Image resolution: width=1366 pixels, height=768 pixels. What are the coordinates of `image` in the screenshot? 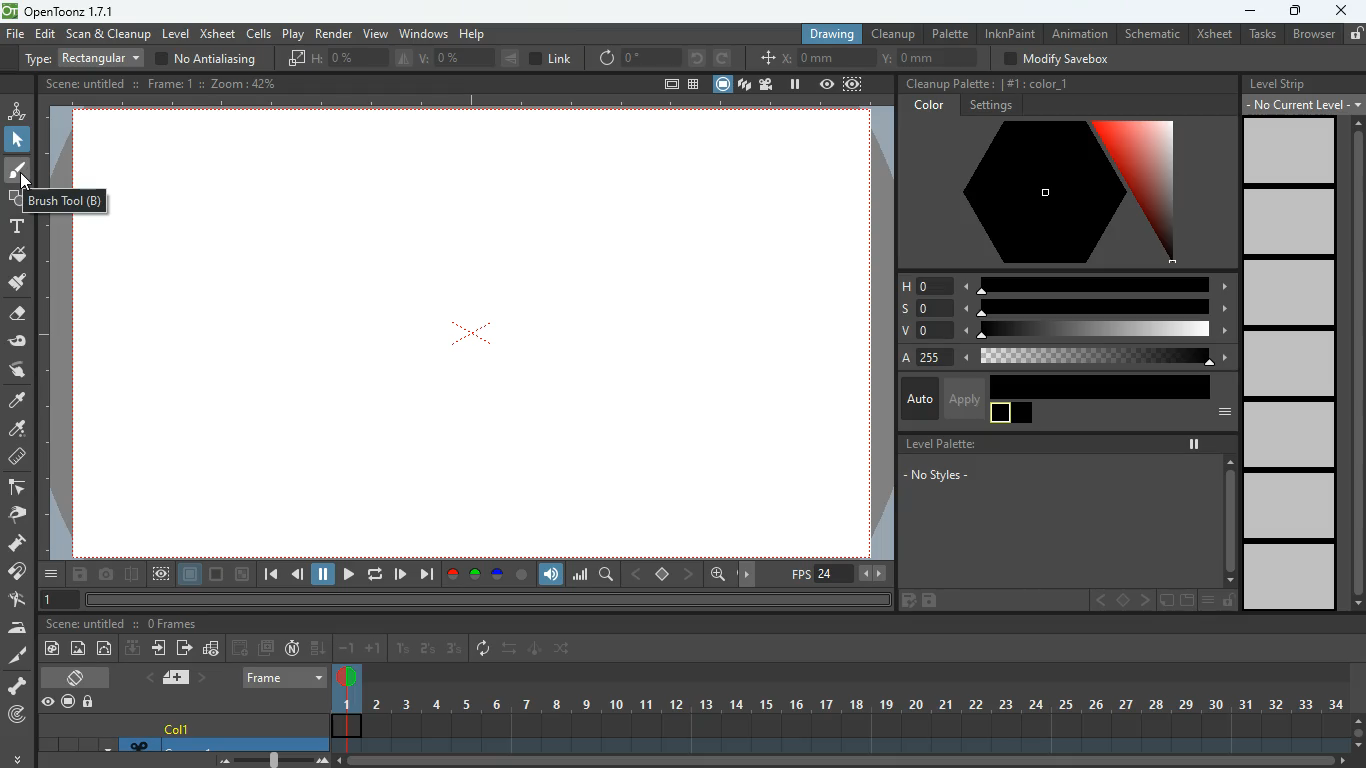 It's located at (79, 649).